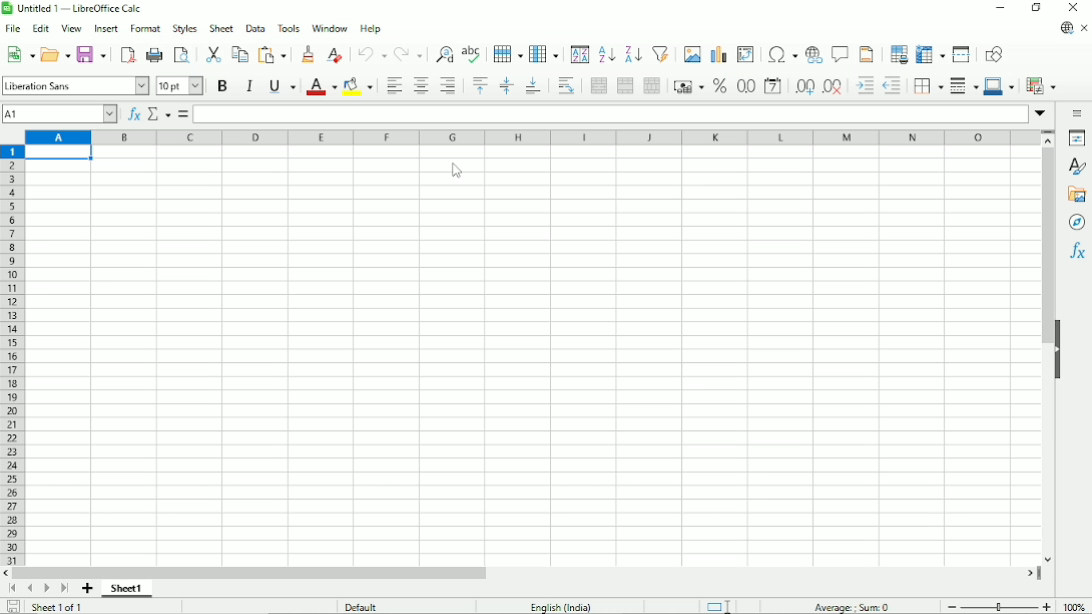  Describe the element at coordinates (1065, 28) in the screenshot. I see `Update available` at that location.